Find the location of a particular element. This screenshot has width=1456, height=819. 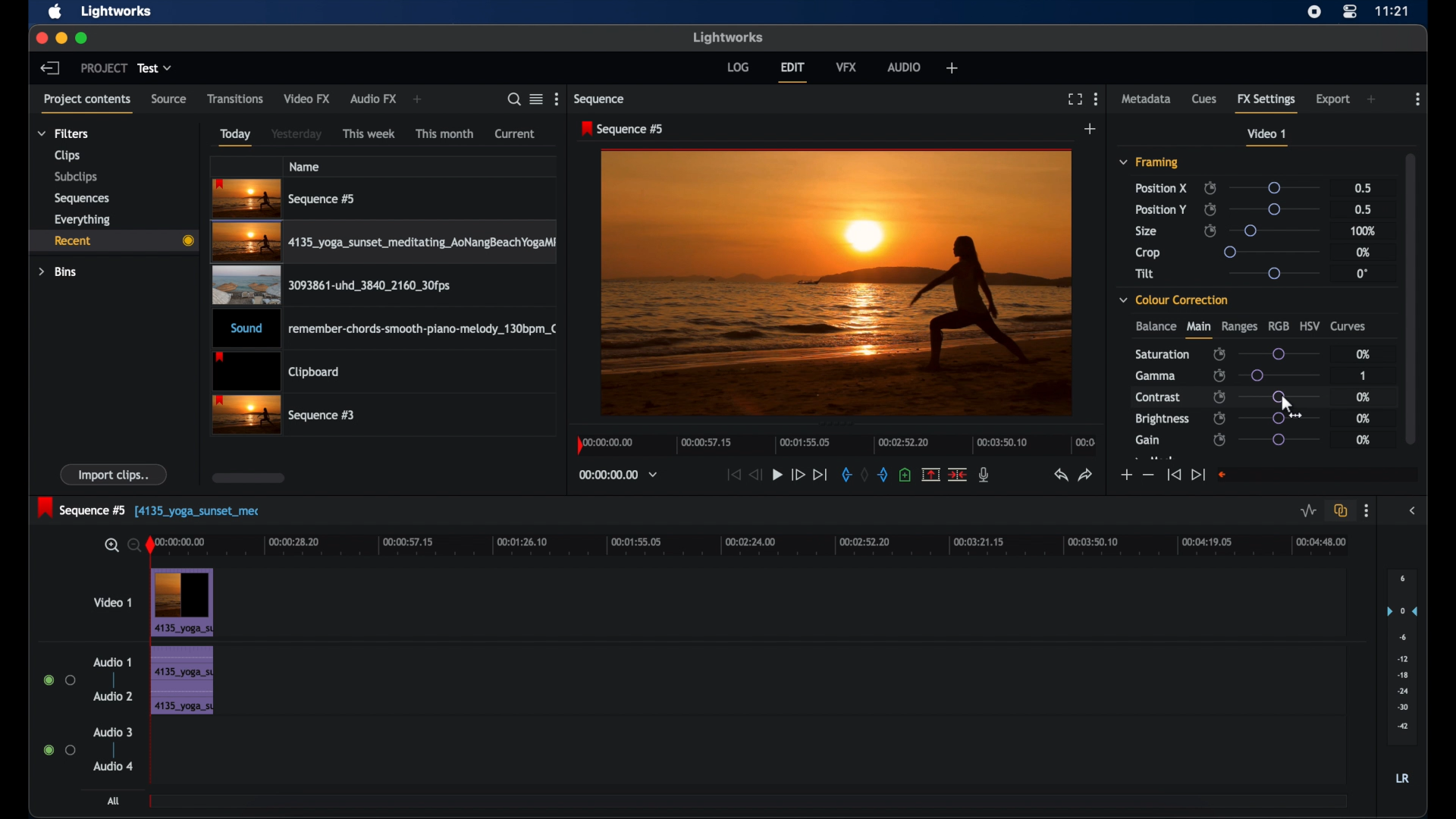

0.5 is located at coordinates (1365, 209).